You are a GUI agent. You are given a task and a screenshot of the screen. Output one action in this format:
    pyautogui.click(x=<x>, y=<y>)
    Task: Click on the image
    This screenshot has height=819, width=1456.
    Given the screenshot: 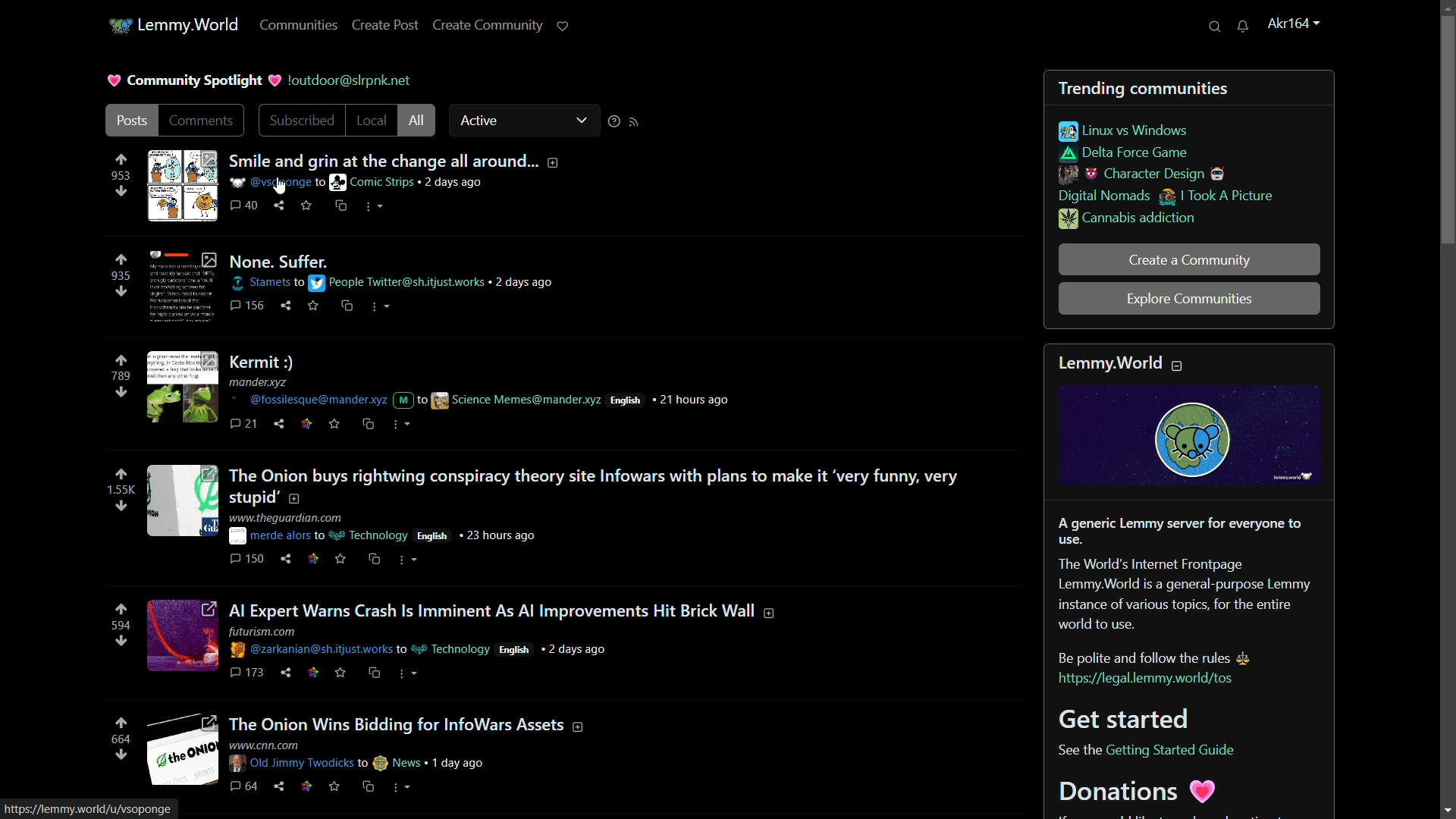 What is the action you would take?
    pyautogui.click(x=184, y=498)
    